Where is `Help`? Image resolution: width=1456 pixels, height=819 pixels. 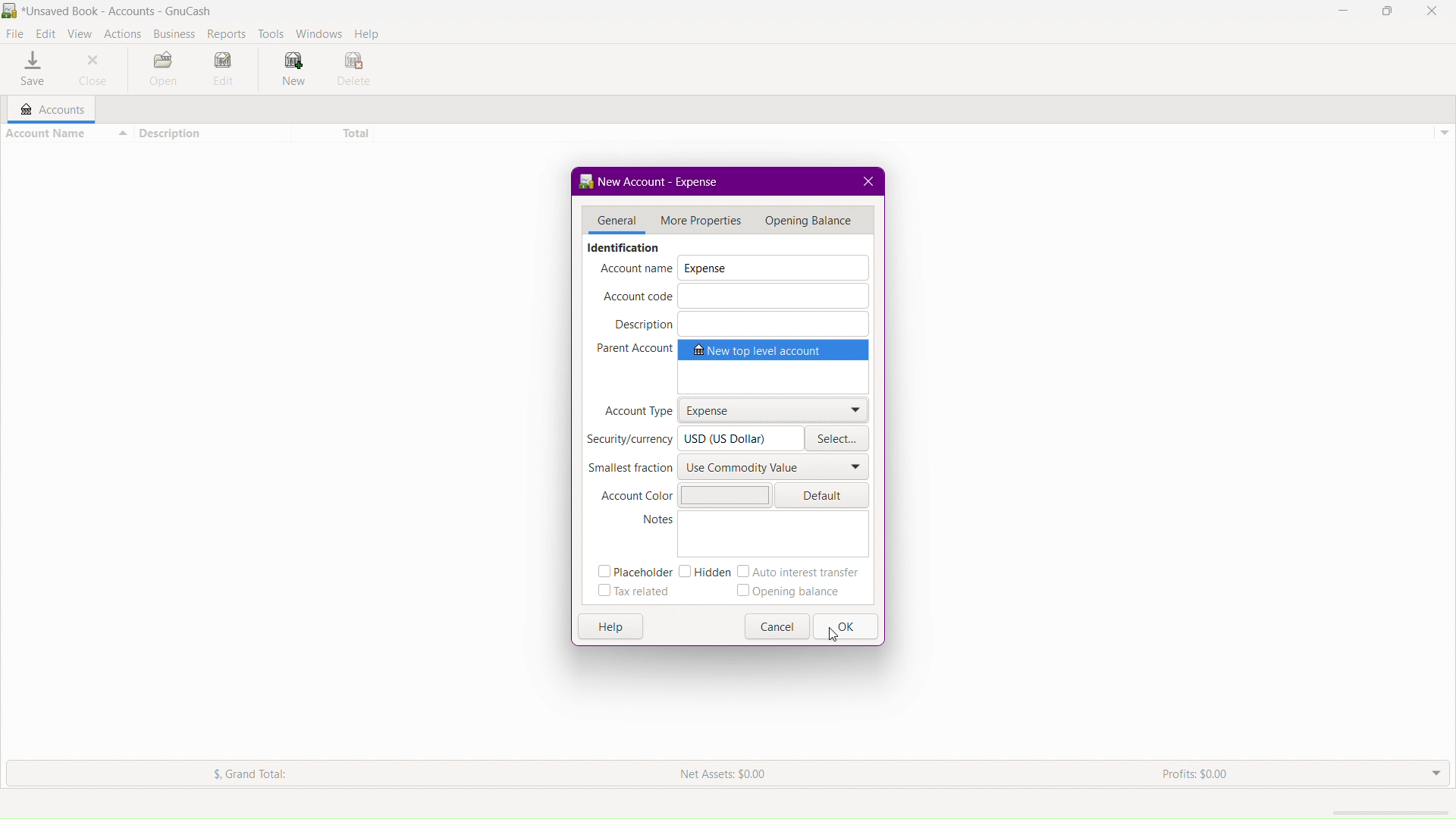
Help is located at coordinates (611, 626).